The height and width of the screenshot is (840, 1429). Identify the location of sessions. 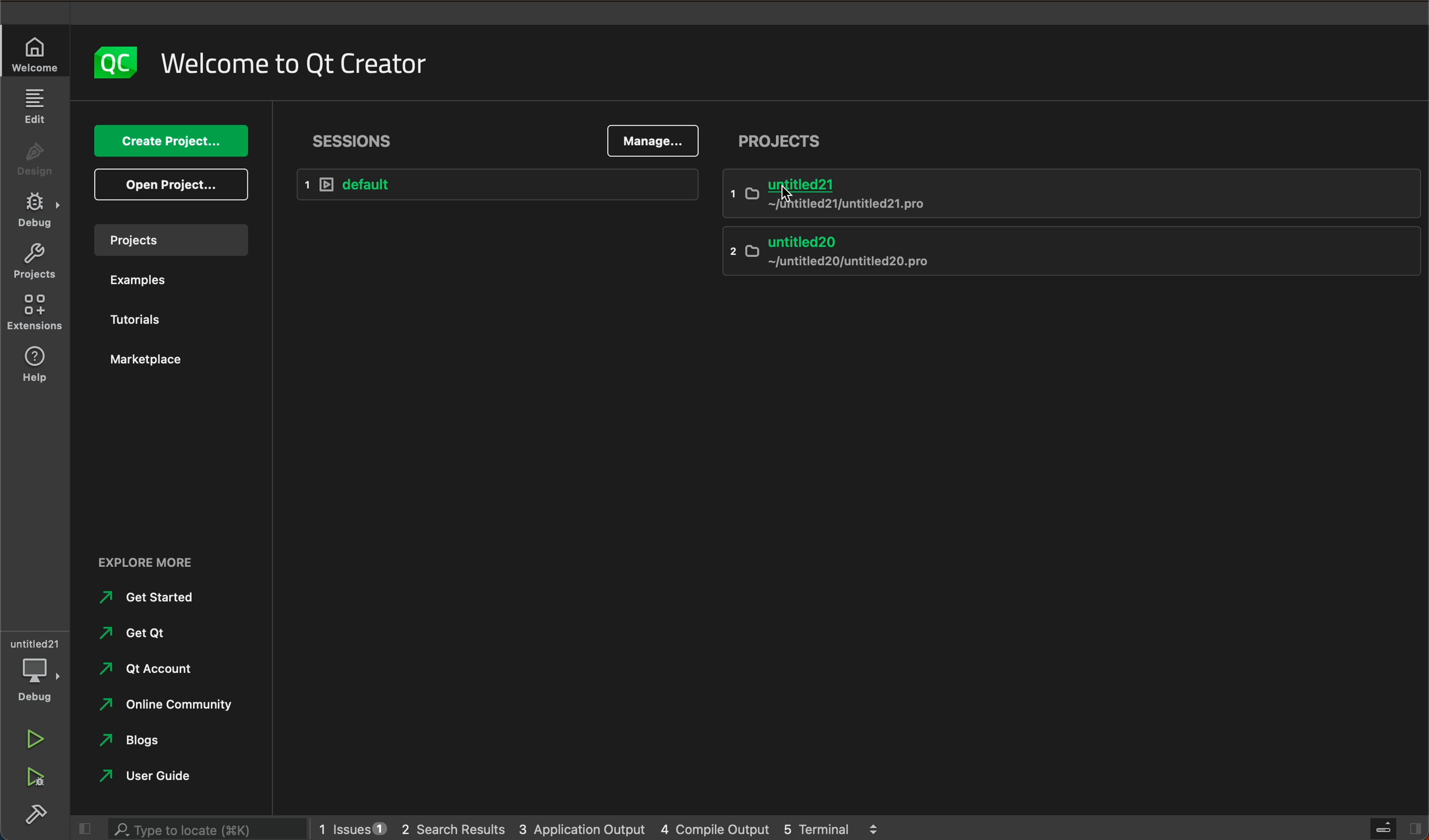
(355, 135).